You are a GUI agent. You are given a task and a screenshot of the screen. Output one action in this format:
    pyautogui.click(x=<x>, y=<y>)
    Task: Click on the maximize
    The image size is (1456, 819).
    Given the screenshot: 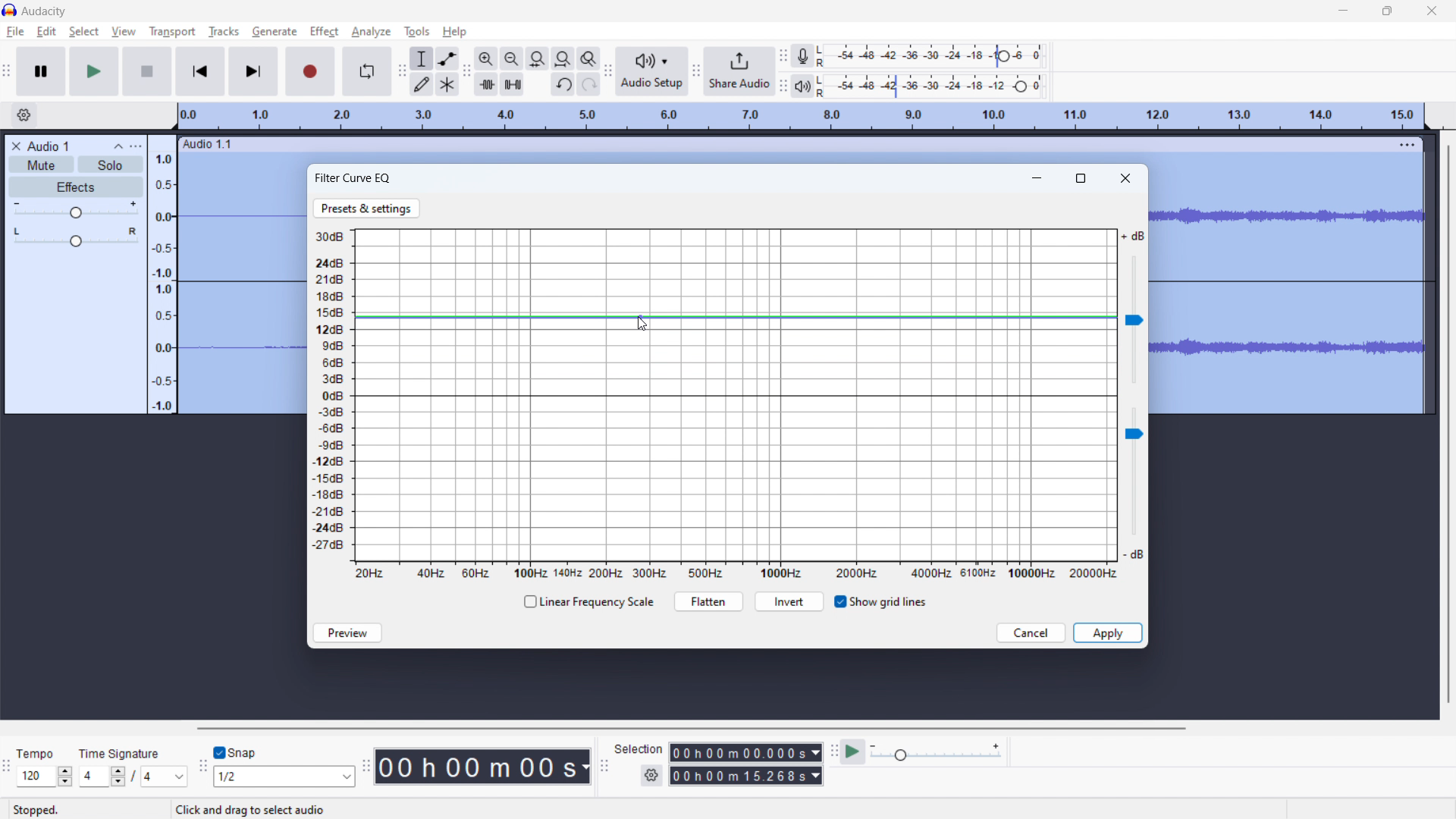 What is the action you would take?
    pyautogui.click(x=1387, y=11)
    